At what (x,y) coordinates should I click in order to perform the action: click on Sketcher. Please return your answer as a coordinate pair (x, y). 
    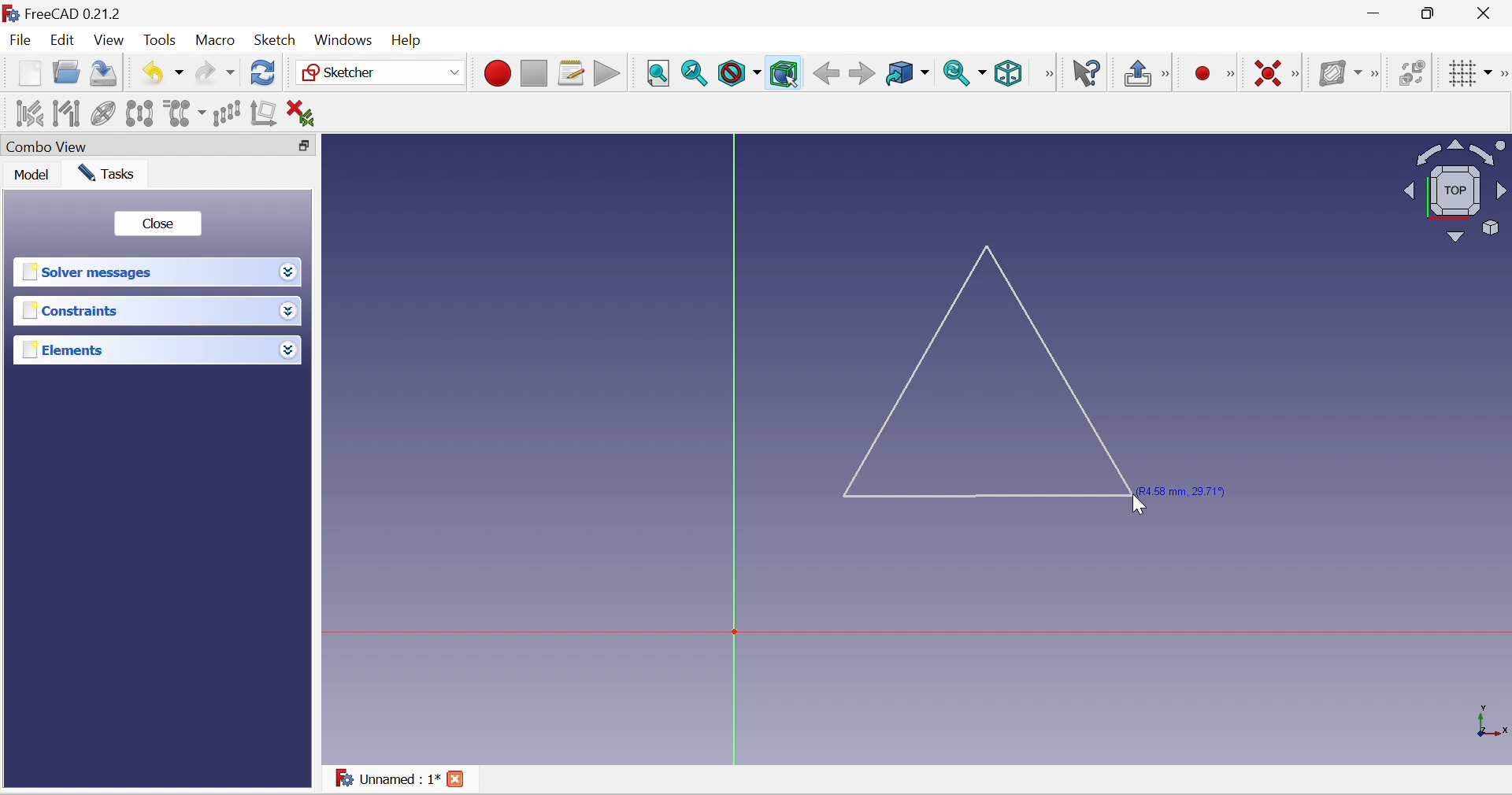
    Looking at the image, I should click on (381, 72).